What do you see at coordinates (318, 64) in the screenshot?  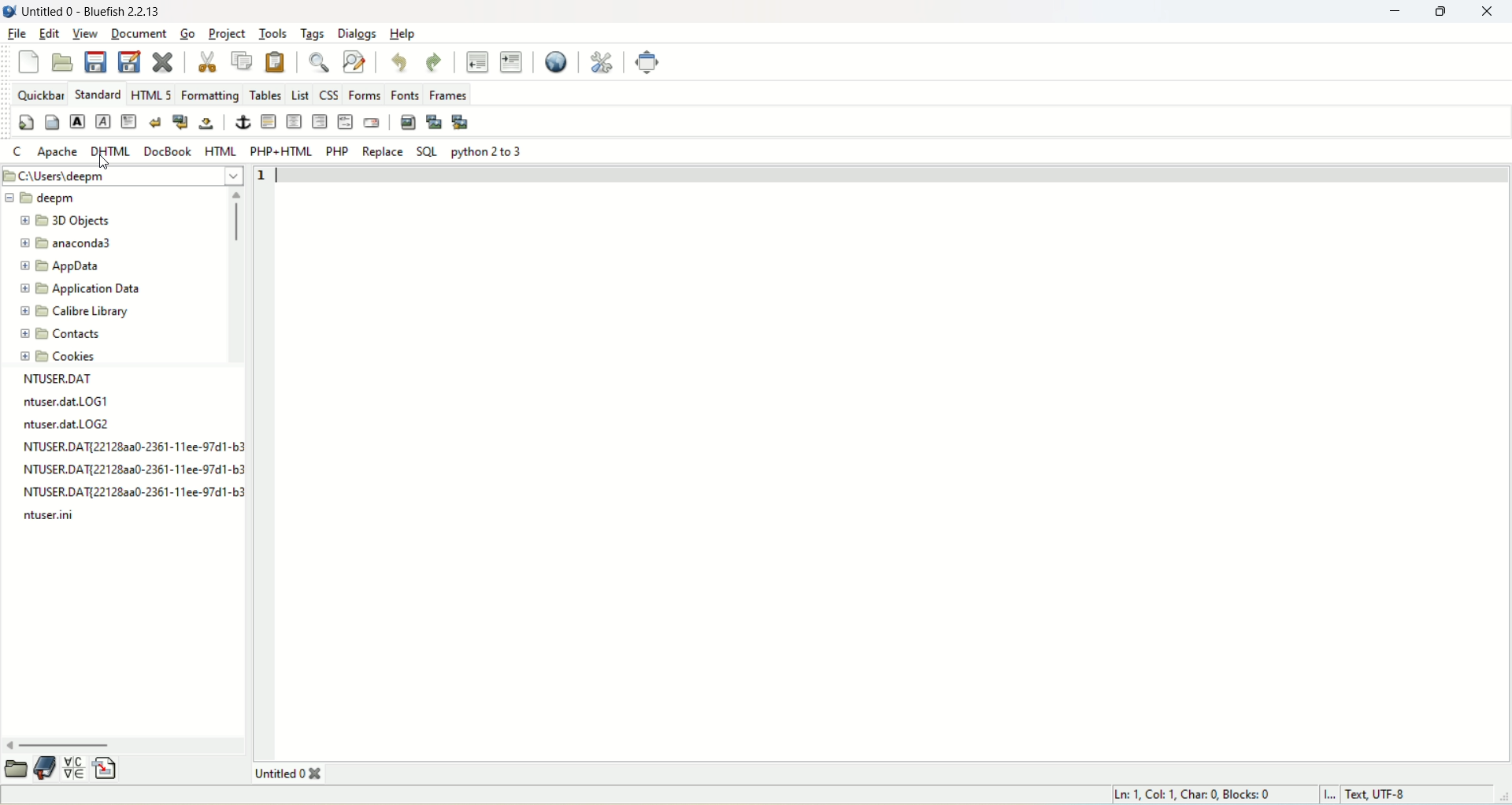 I see `show find bar` at bounding box center [318, 64].